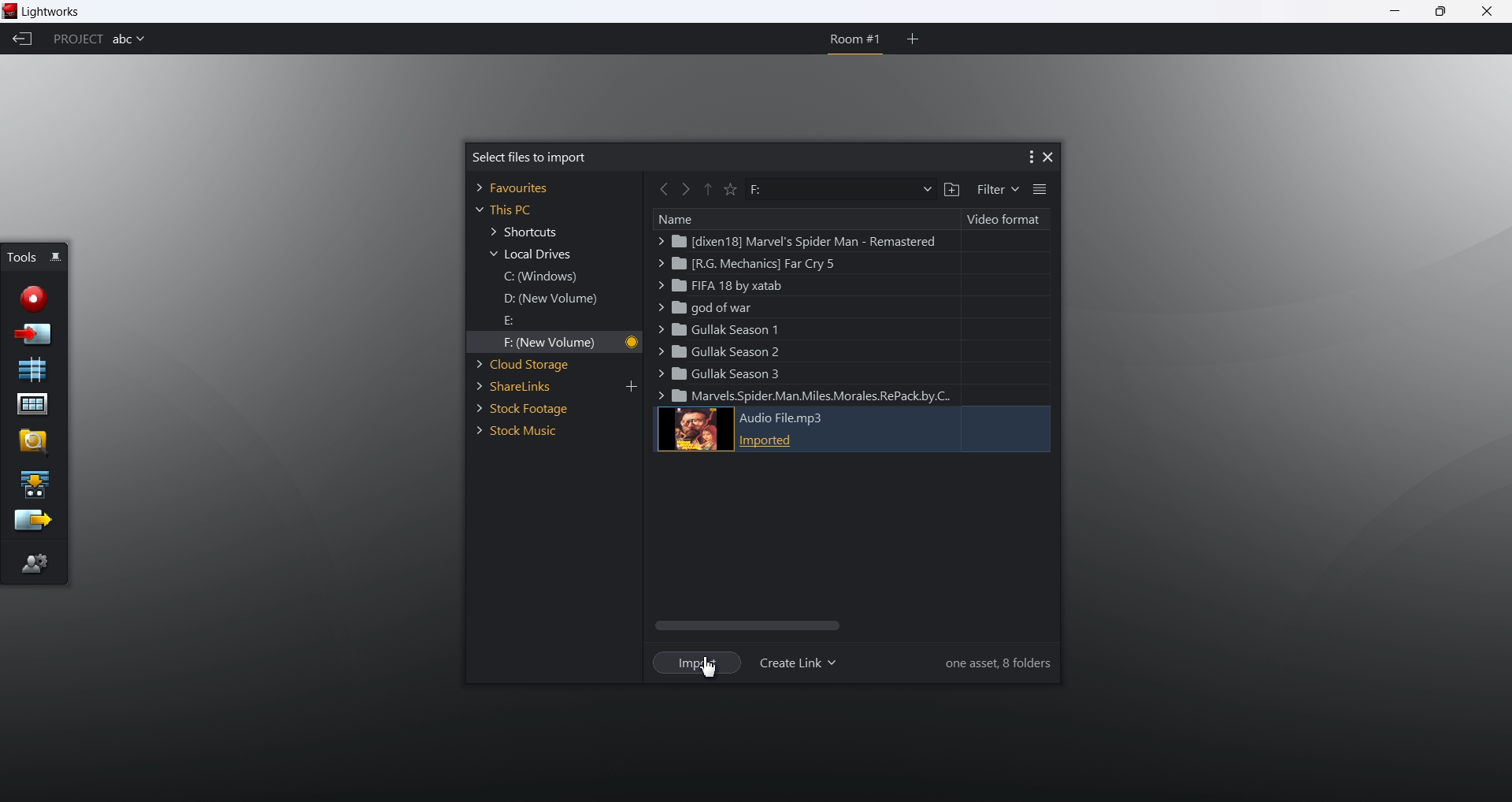  Describe the element at coordinates (58, 13) in the screenshot. I see `lightworks` at that location.